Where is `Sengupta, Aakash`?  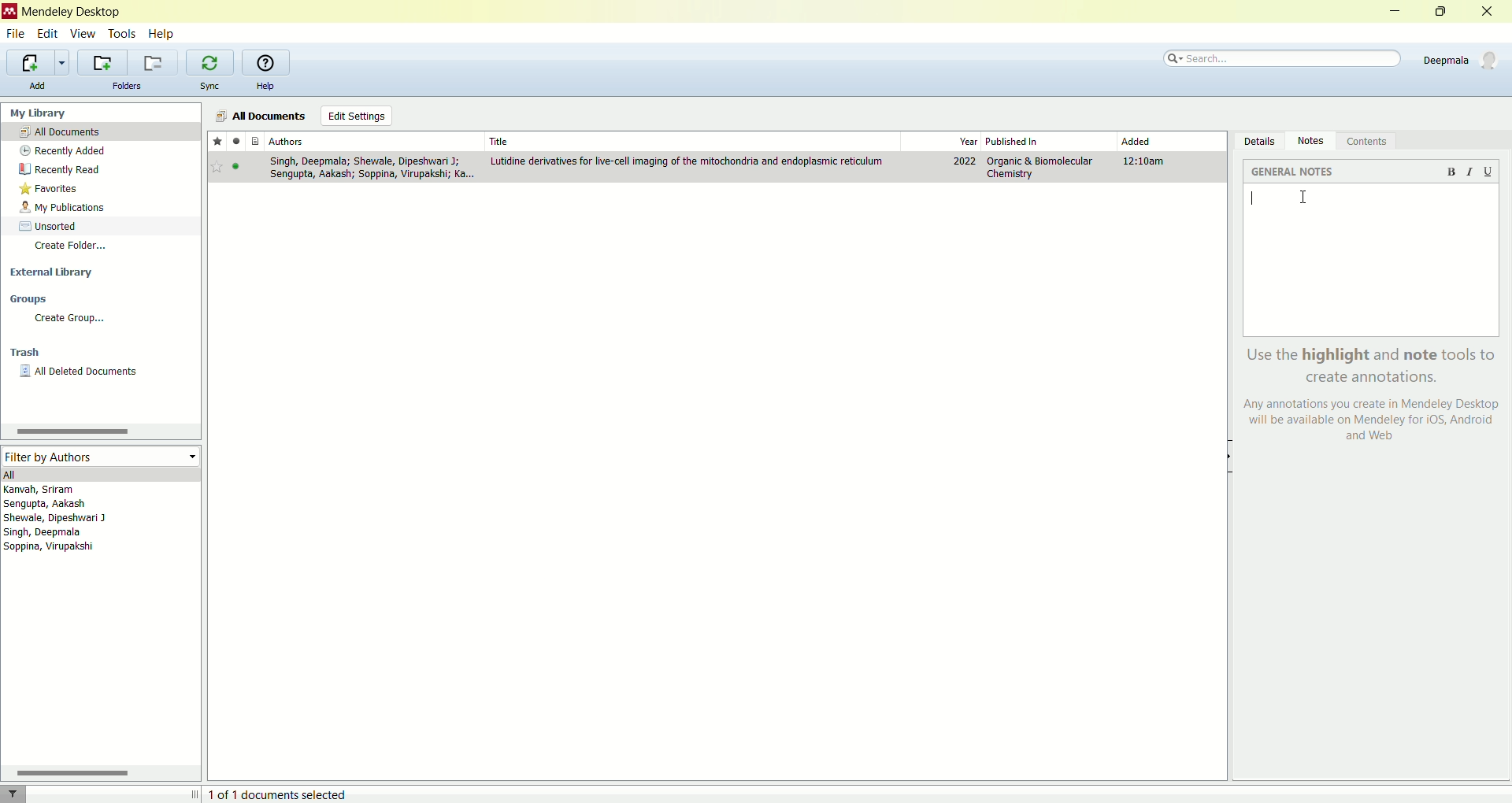 Sengupta, Aakash is located at coordinates (81, 504).